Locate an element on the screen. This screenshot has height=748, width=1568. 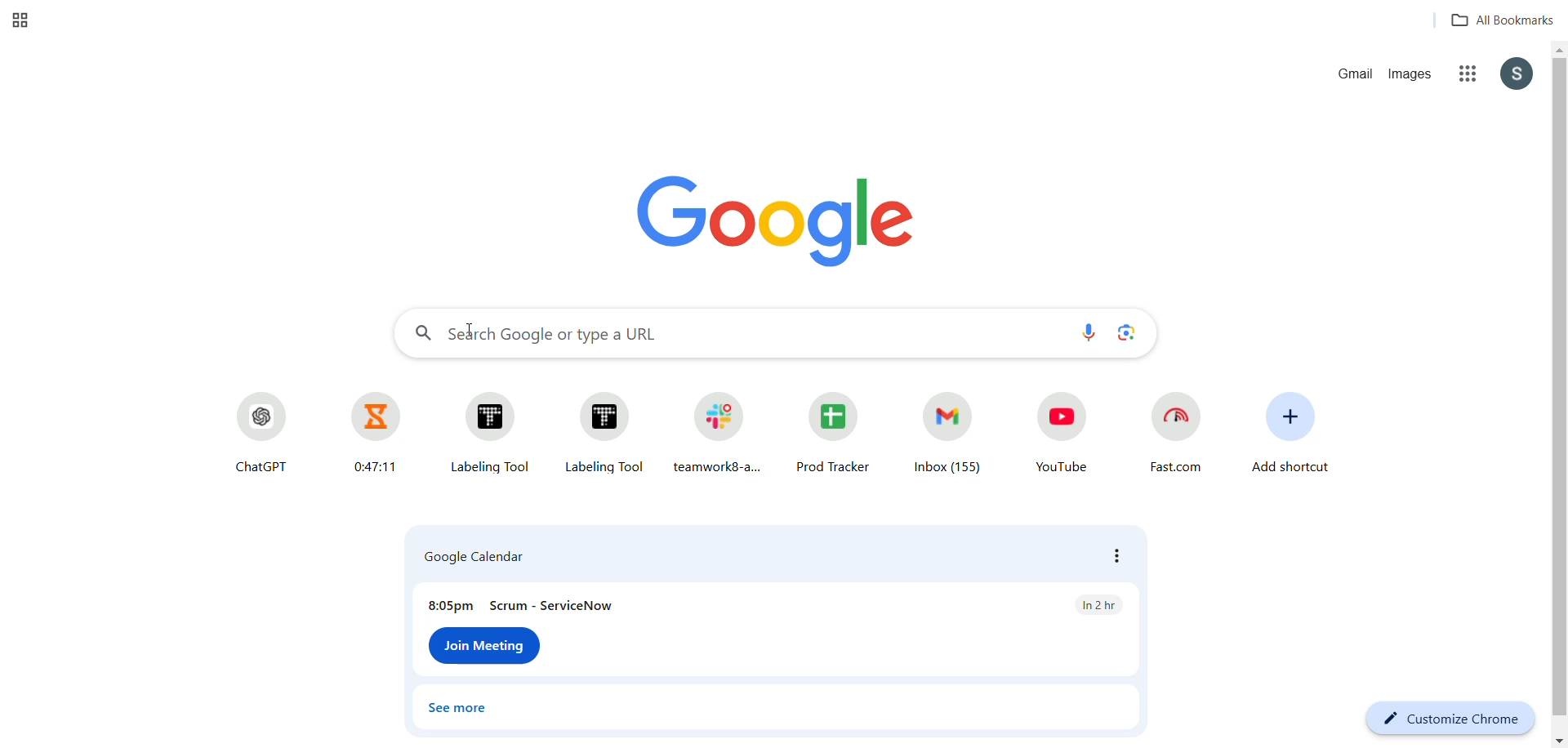
cursor is located at coordinates (470, 330).